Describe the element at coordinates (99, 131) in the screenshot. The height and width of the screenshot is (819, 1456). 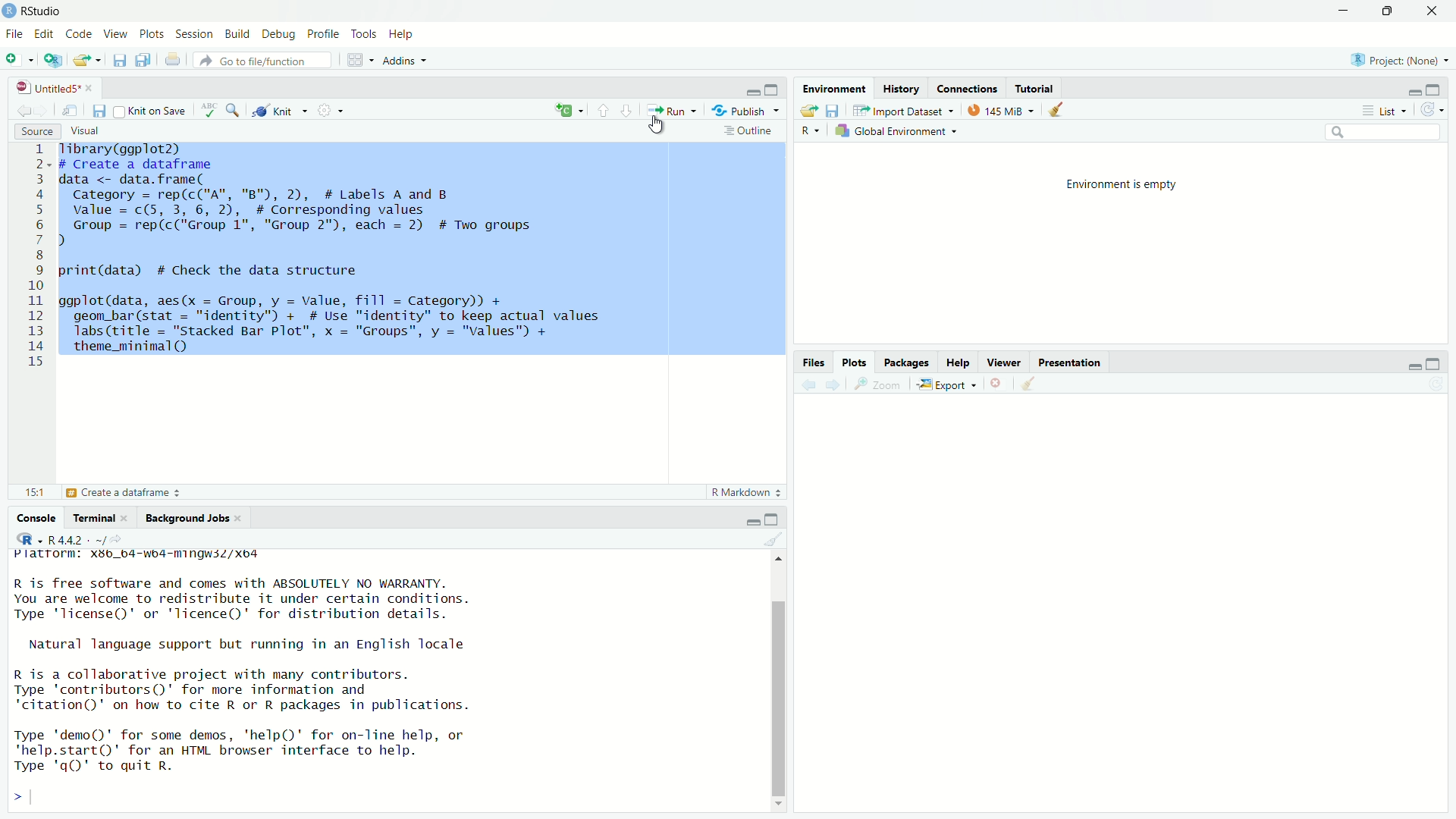
I see `Visual` at that location.